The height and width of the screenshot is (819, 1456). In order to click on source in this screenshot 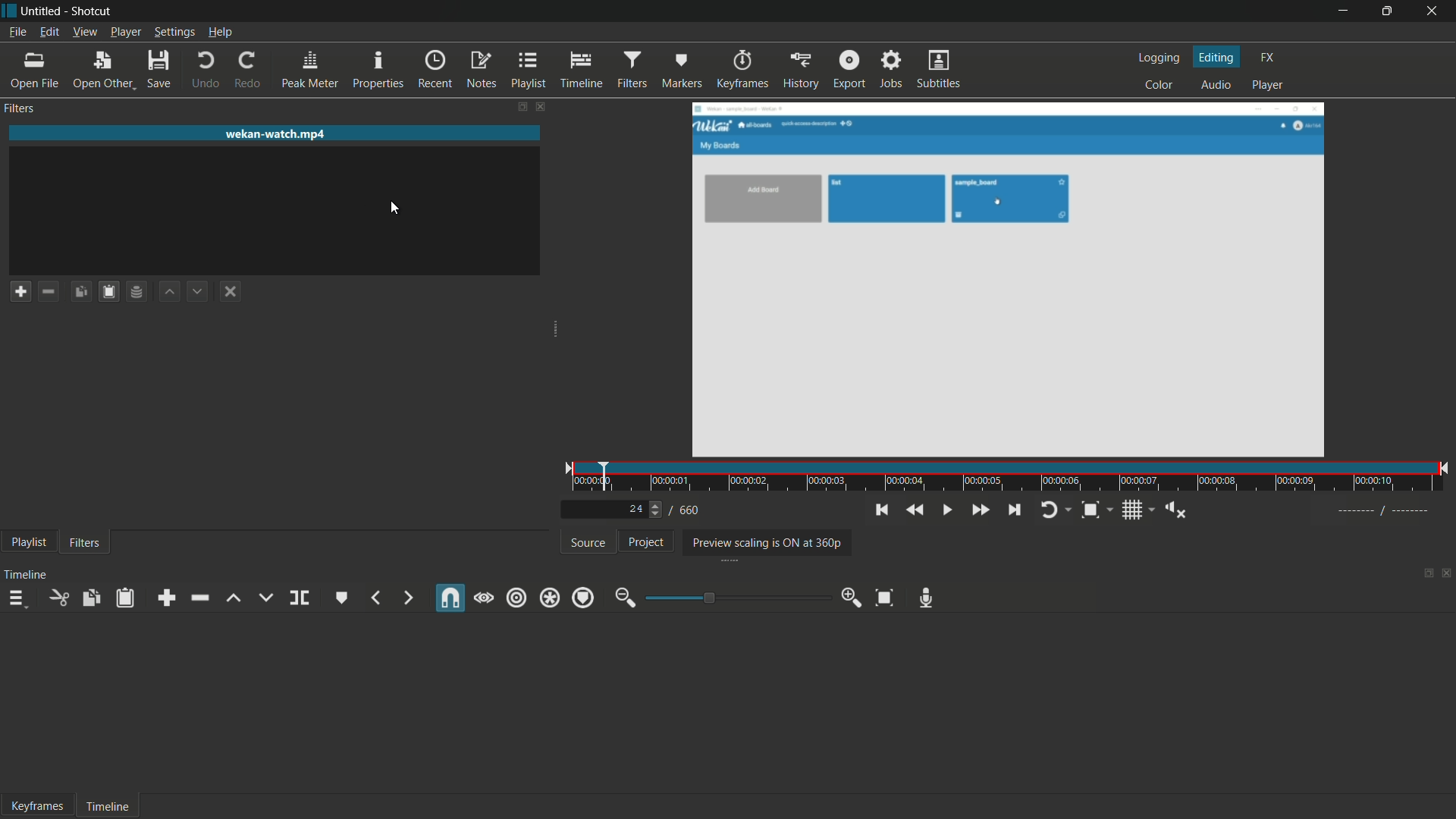, I will do `click(588, 542)`.